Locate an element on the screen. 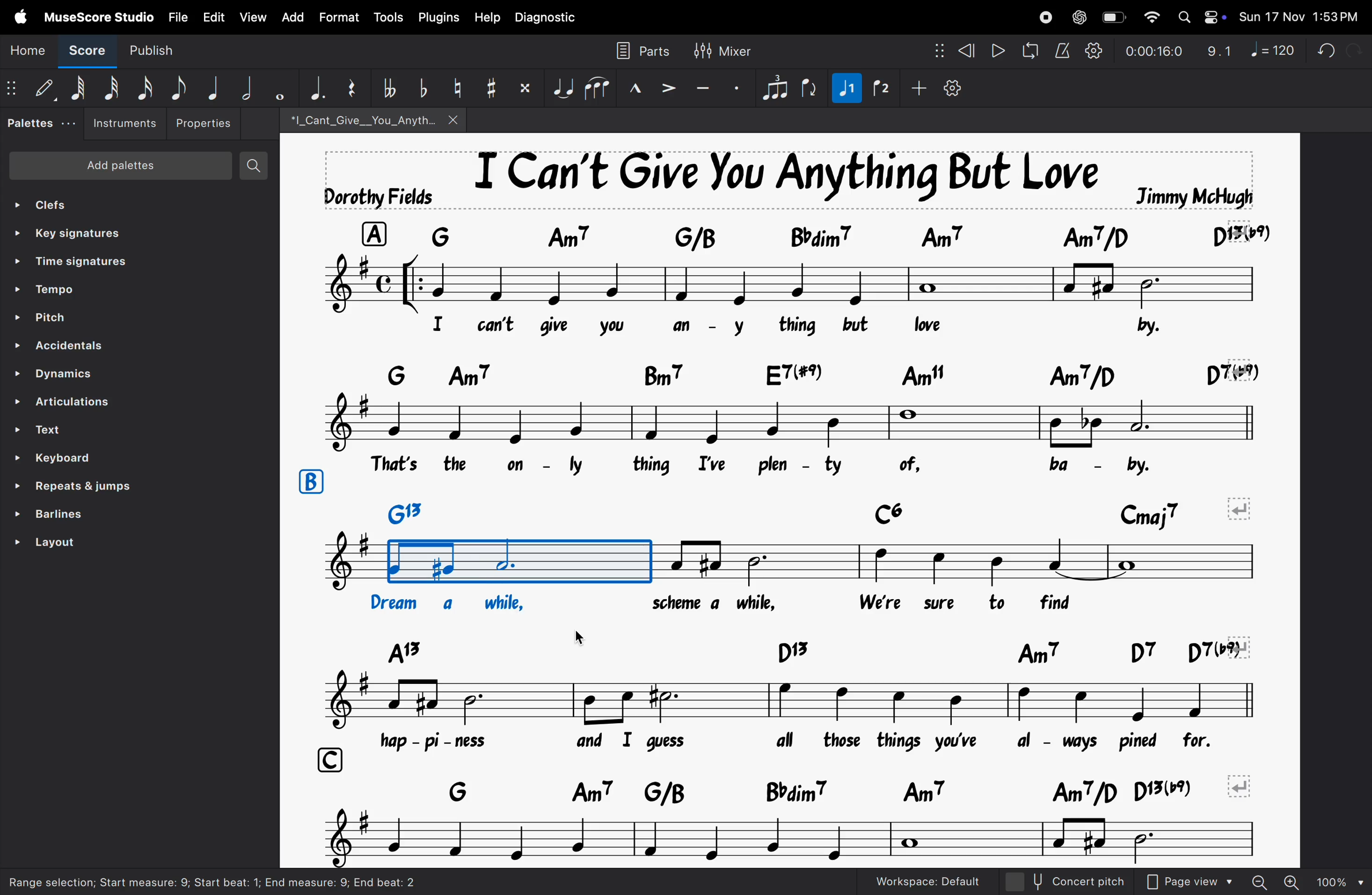 The image size is (1372, 895). 32 note is located at coordinates (112, 89).